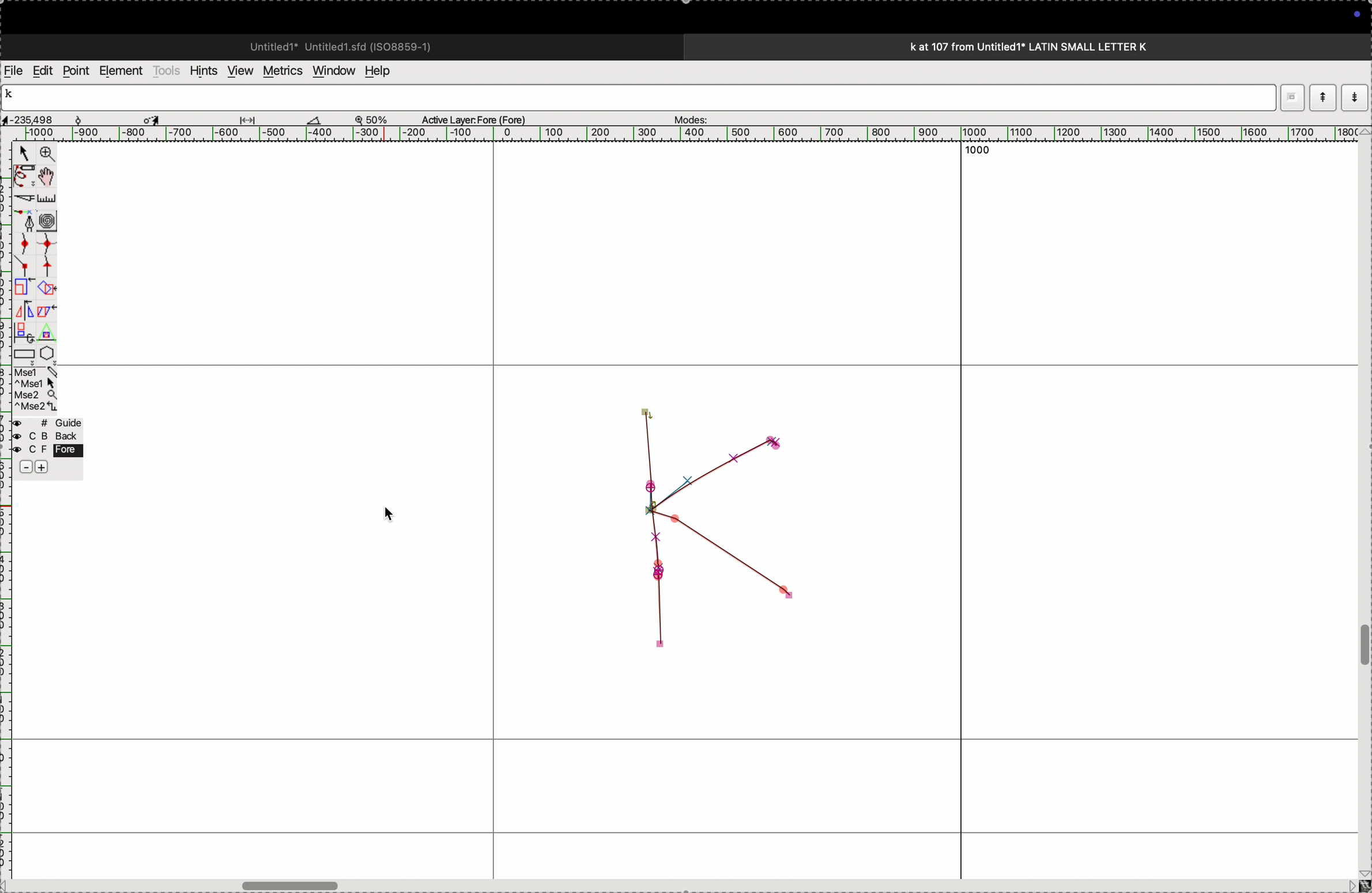 This screenshot has width=1372, height=893. Describe the element at coordinates (58, 219) in the screenshot. I see `cirlcels` at that location.